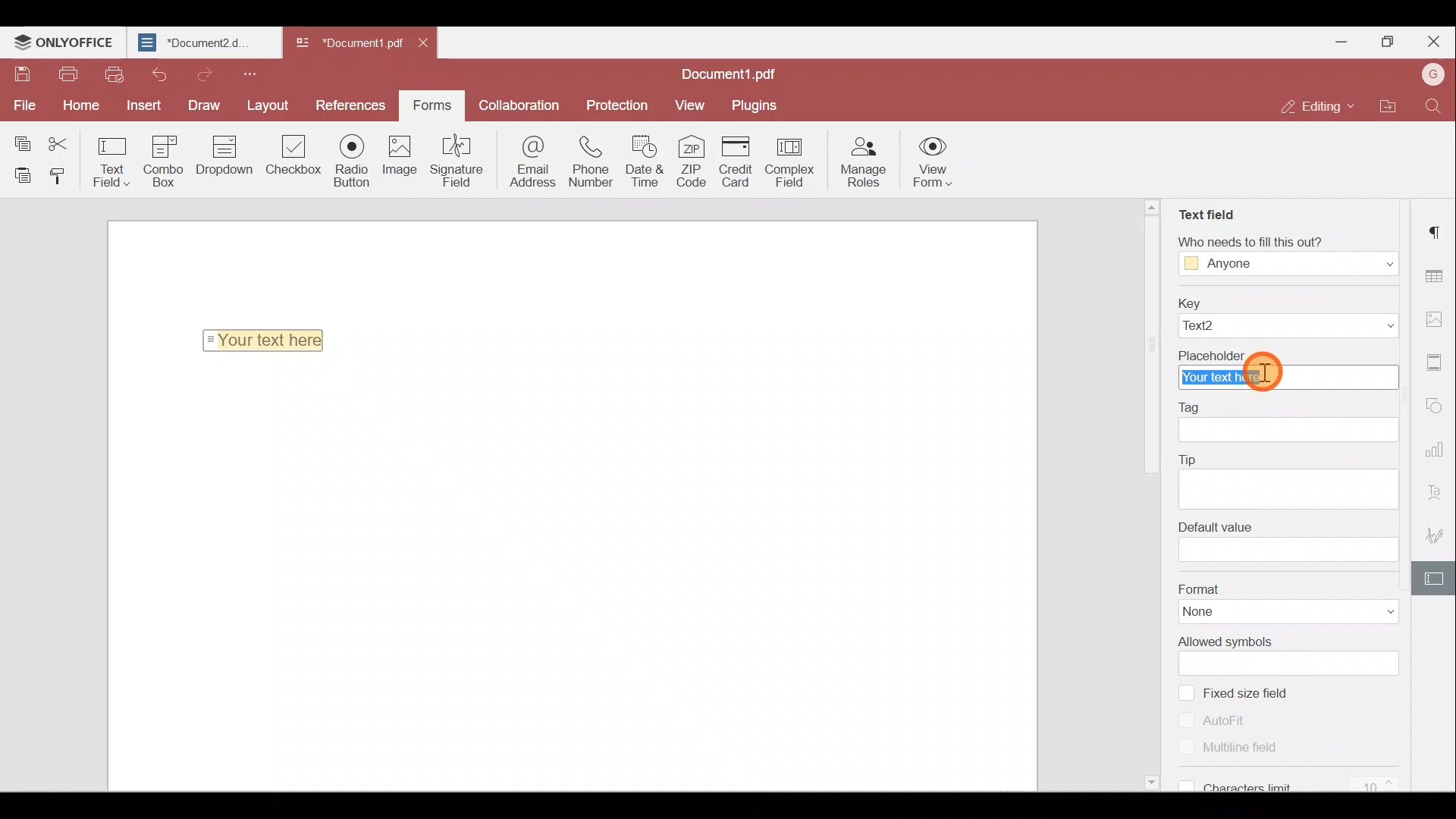 The width and height of the screenshot is (1456, 819). What do you see at coordinates (1230, 265) in the screenshot?
I see `Anyone` at bounding box center [1230, 265].